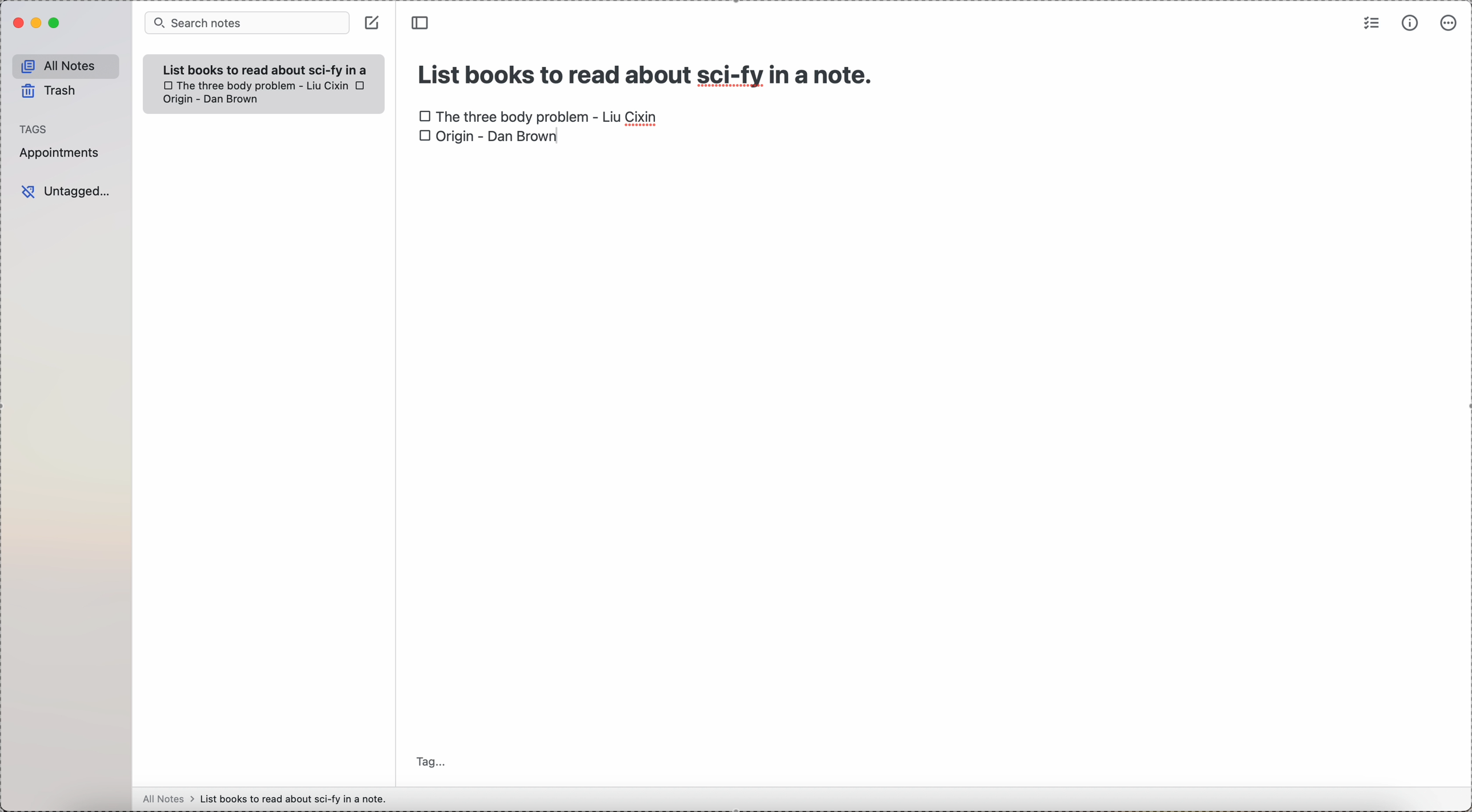  Describe the element at coordinates (372, 23) in the screenshot. I see `create note` at that location.